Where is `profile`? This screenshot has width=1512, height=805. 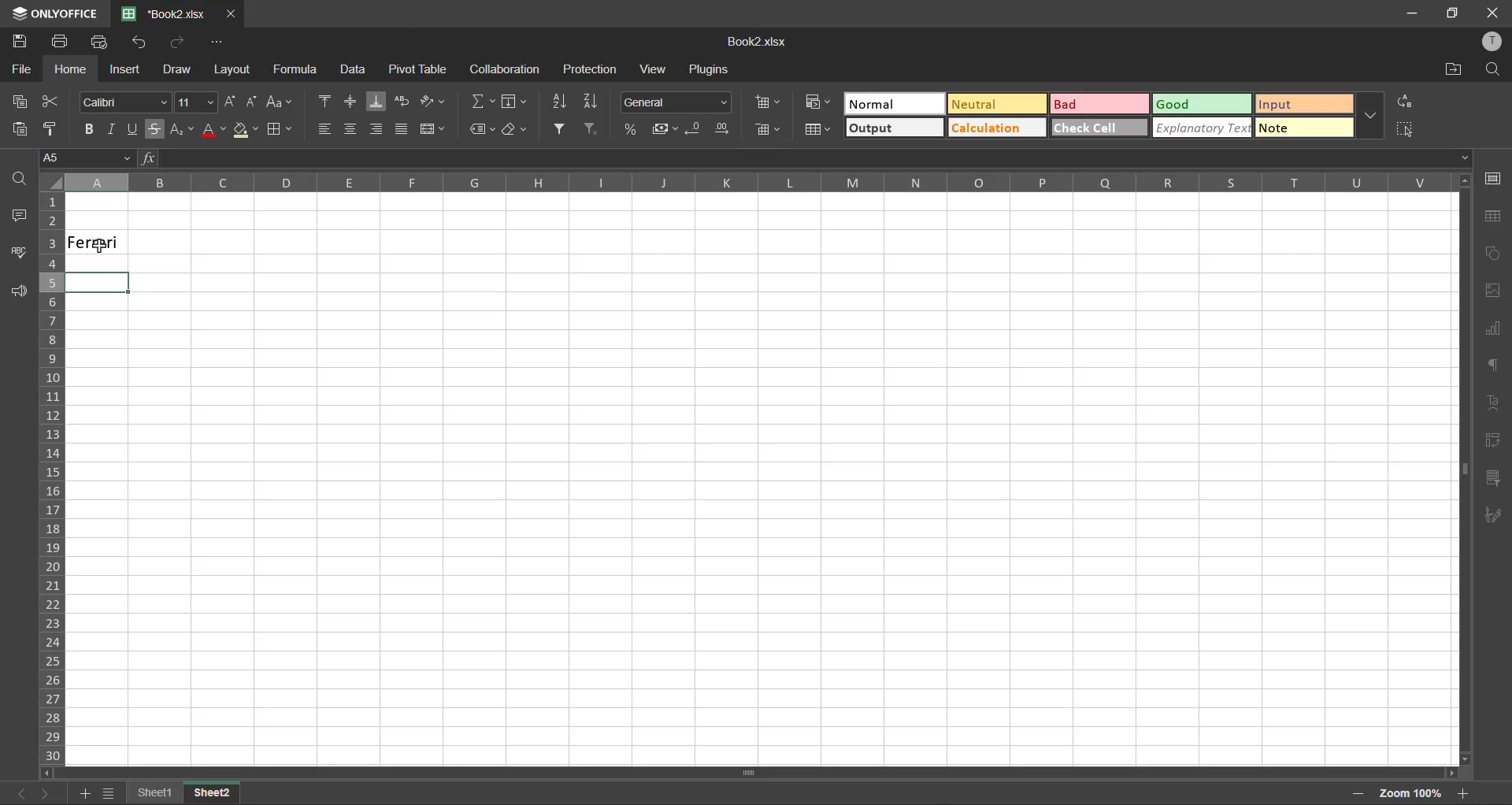
profile is located at coordinates (1495, 40).